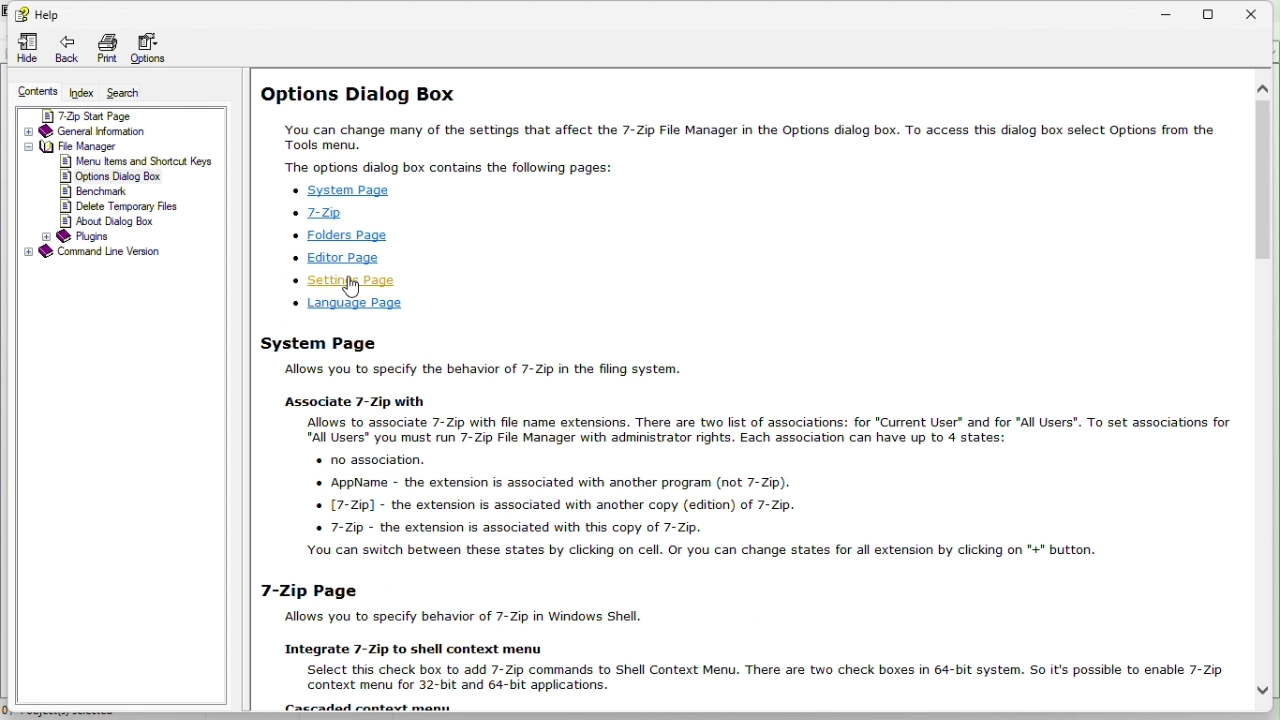 This screenshot has width=1280, height=720. I want to click on Minimise, so click(1169, 10).